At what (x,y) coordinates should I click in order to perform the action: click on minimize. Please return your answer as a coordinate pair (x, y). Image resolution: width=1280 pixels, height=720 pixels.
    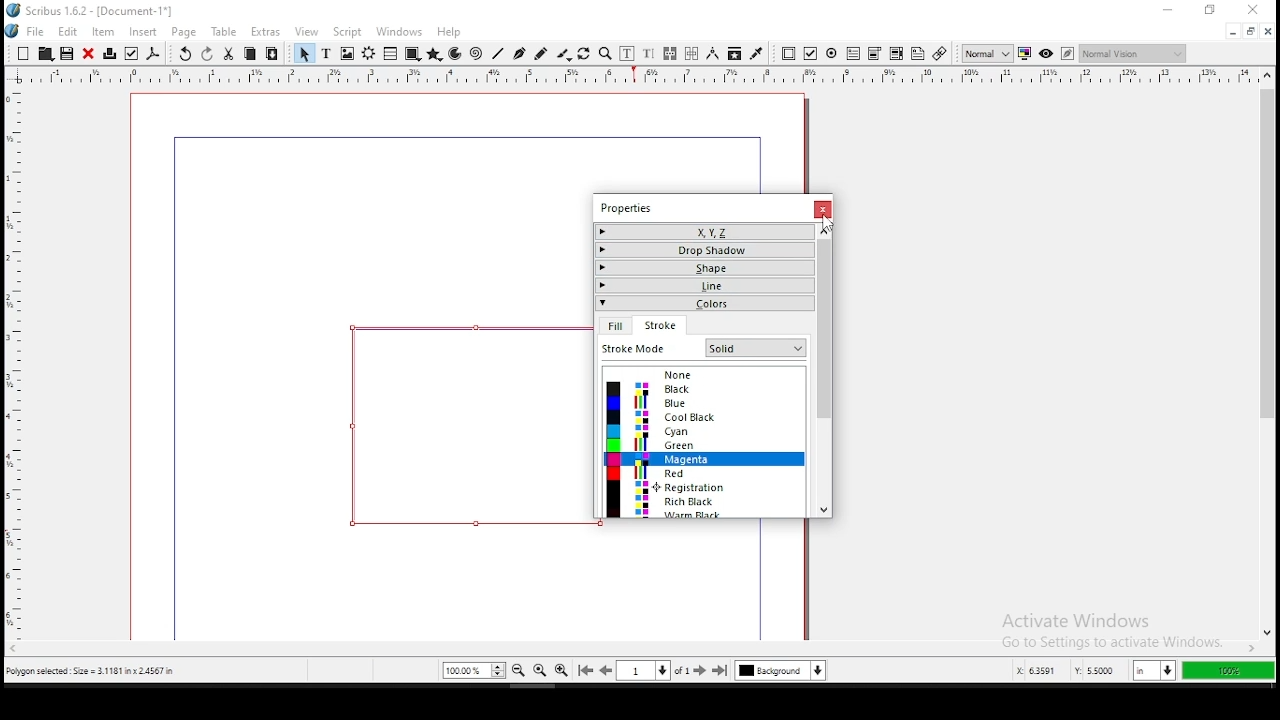
    Looking at the image, I should click on (1232, 33).